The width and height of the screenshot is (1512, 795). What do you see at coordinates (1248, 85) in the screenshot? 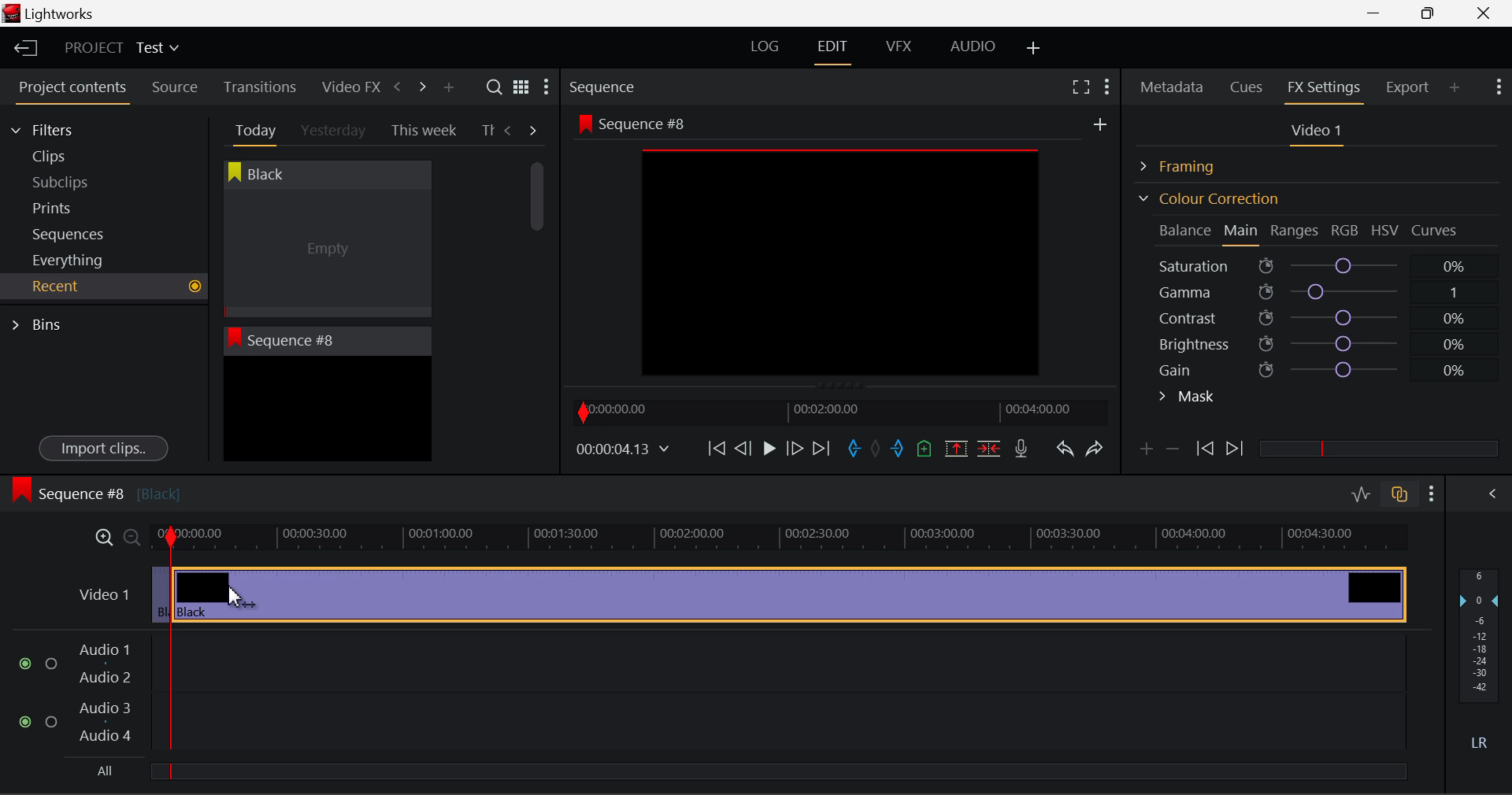
I see `Cues Panel` at bounding box center [1248, 85].